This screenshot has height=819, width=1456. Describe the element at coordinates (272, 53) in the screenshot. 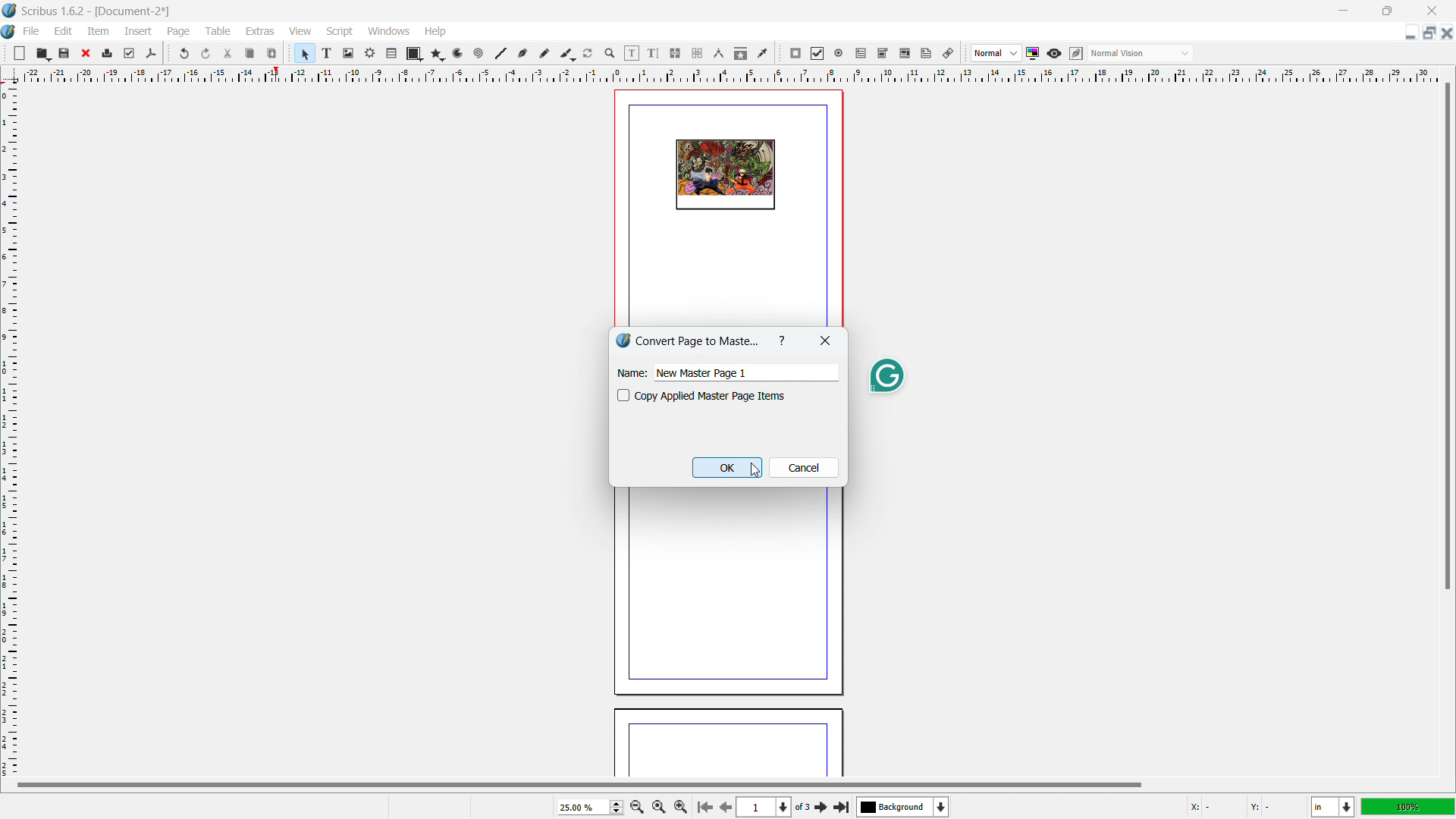

I see `paste` at that location.